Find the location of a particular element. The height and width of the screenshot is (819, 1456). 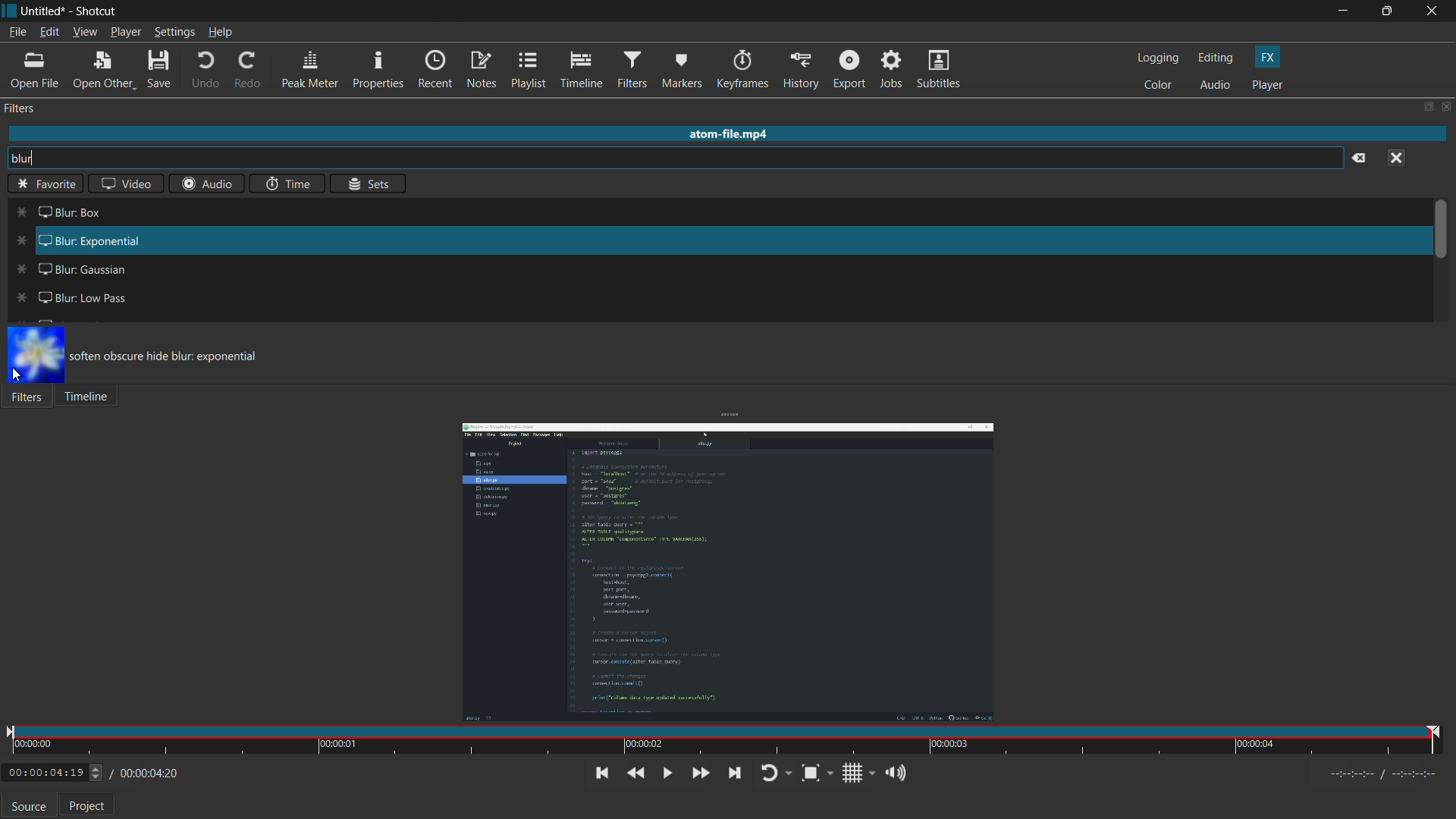

soften obscure hide directional blur: exponential is located at coordinates (180, 356).